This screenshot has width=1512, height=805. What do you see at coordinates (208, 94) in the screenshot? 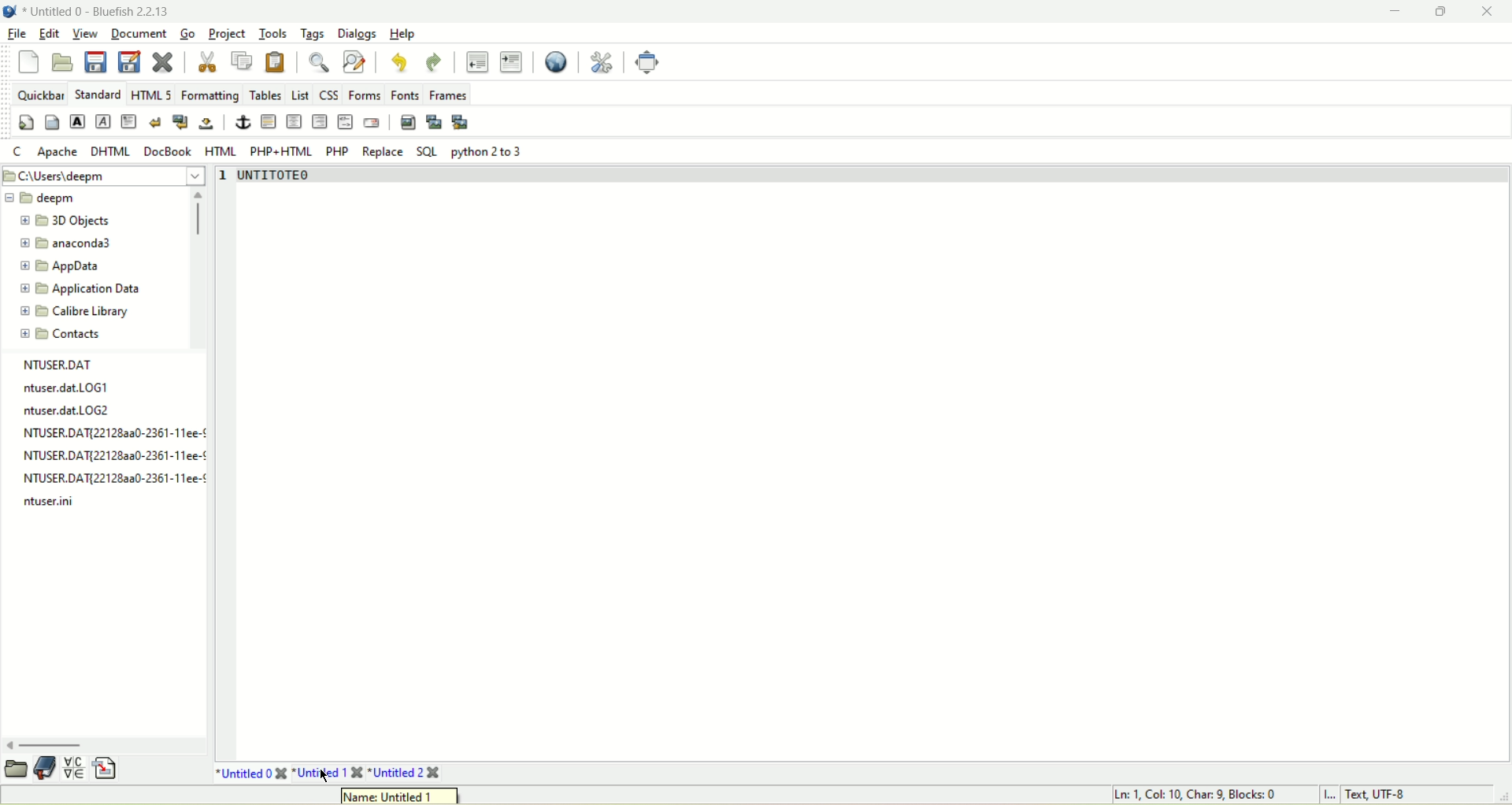
I see `Formatting` at bounding box center [208, 94].